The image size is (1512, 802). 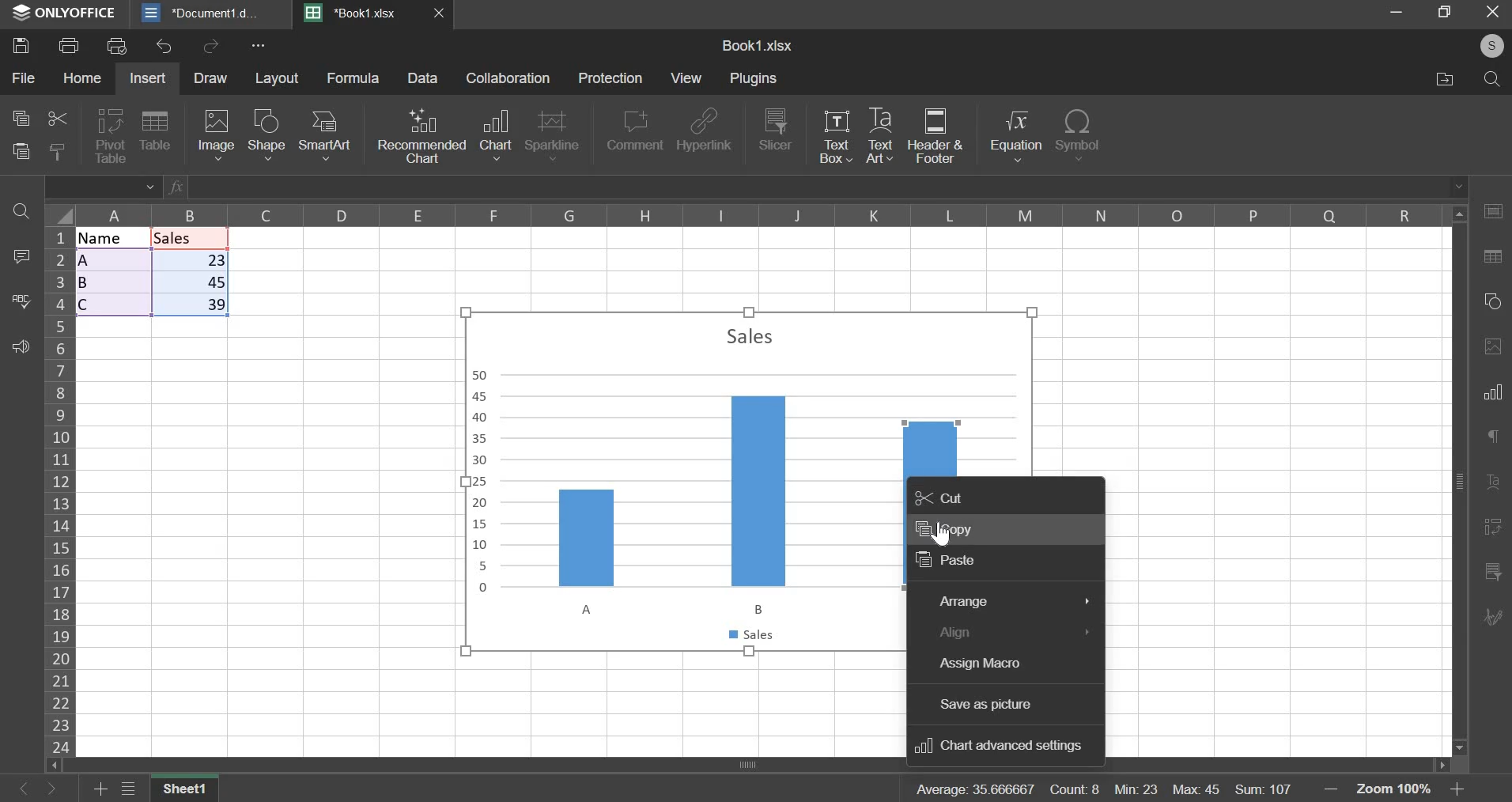 What do you see at coordinates (1394, 13) in the screenshot?
I see `minimize` at bounding box center [1394, 13].